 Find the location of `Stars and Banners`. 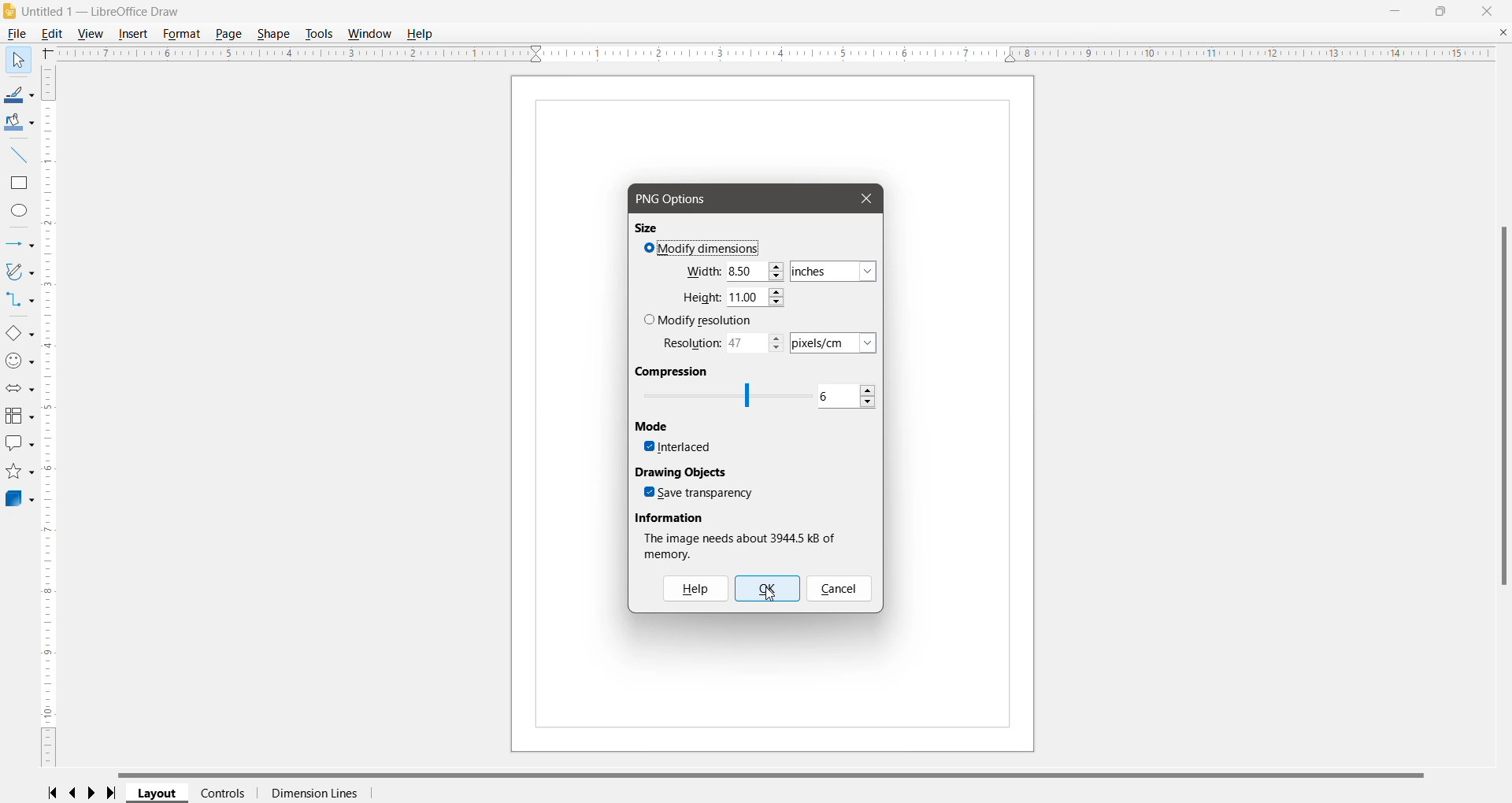

Stars and Banners is located at coordinates (19, 472).